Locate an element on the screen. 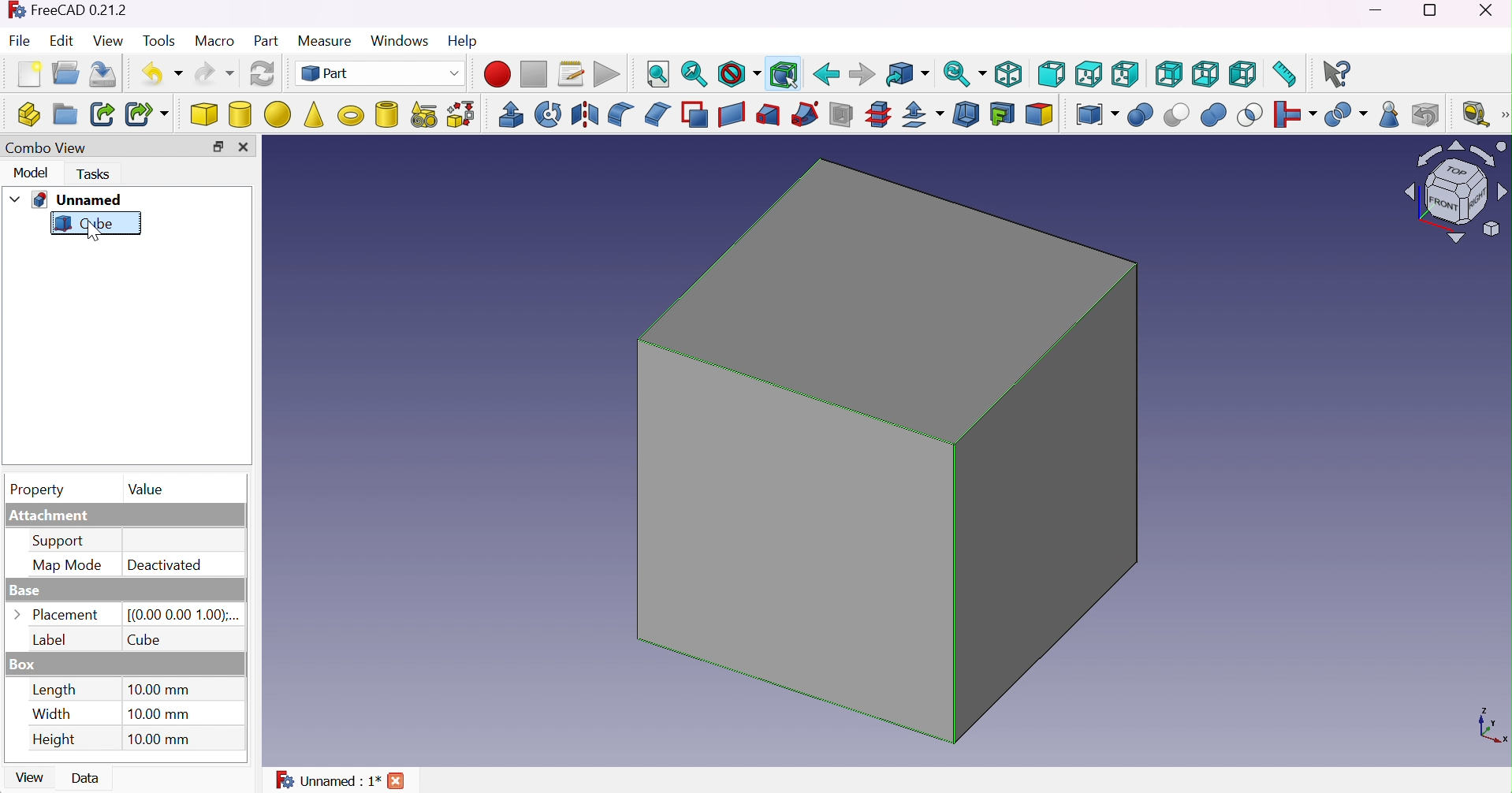 This screenshot has width=1512, height=793. Deactivated is located at coordinates (164, 566).